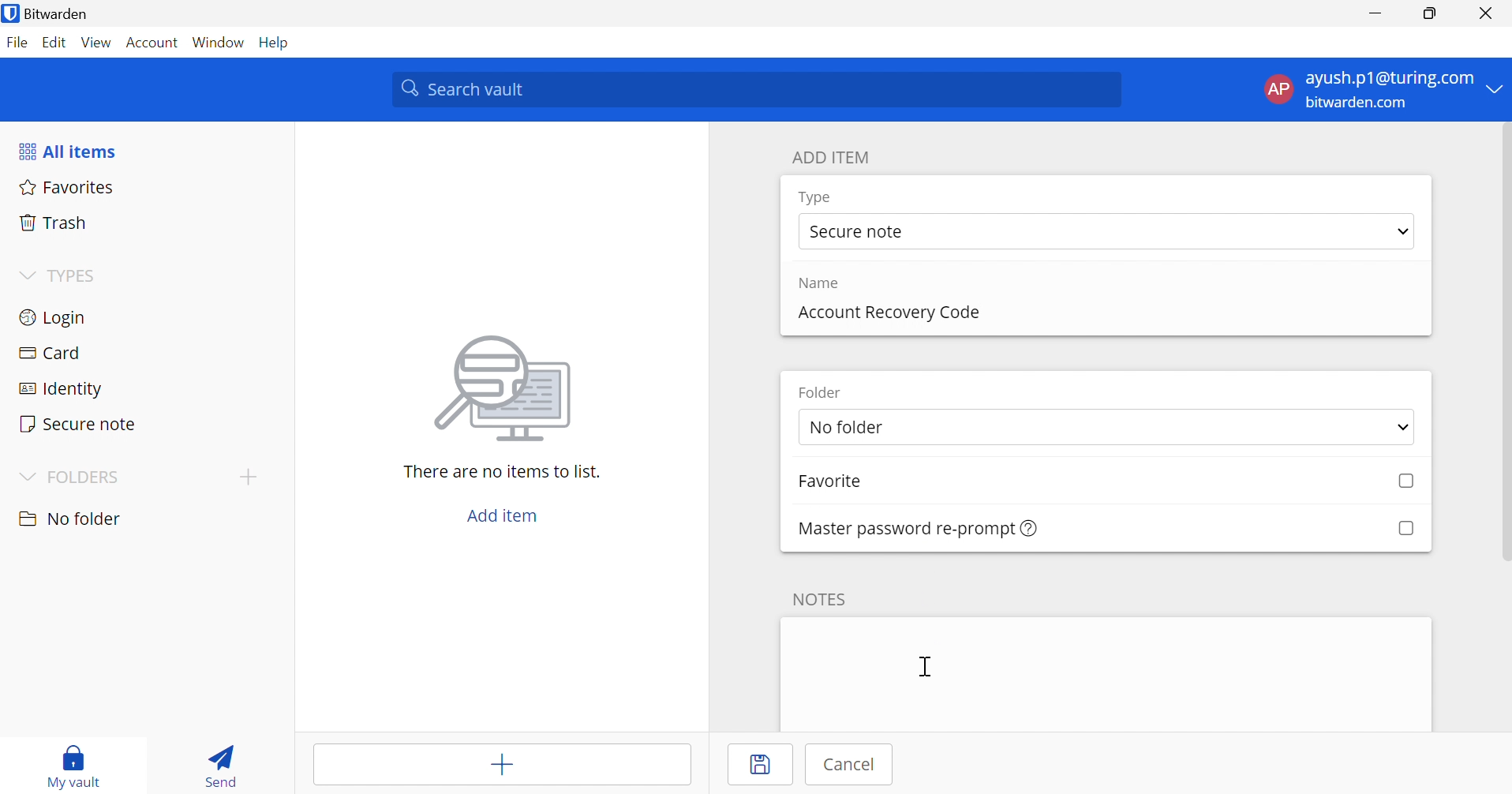  What do you see at coordinates (10, 13) in the screenshot?
I see `bitwarden logo` at bounding box center [10, 13].